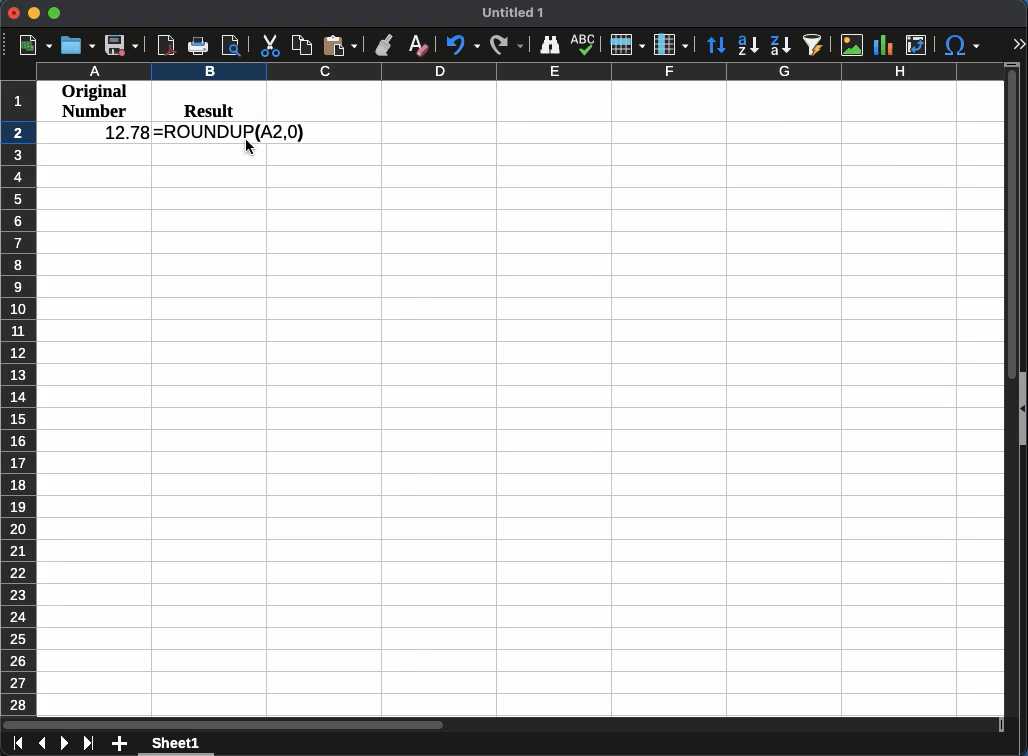 The height and width of the screenshot is (756, 1028). What do you see at coordinates (1022, 413) in the screenshot?
I see `show` at bounding box center [1022, 413].